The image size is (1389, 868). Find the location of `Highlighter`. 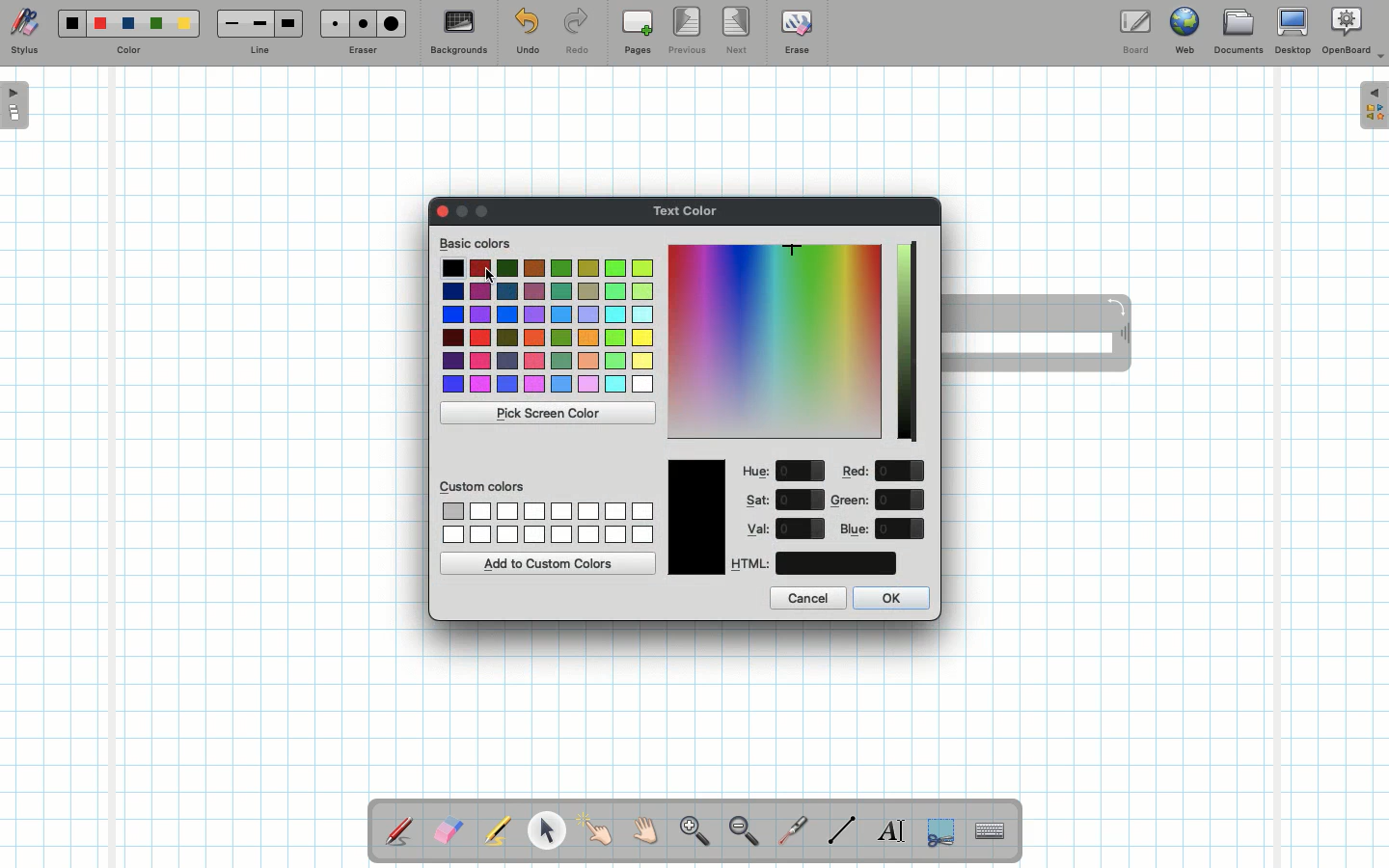

Highlighter is located at coordinates (496, 832).